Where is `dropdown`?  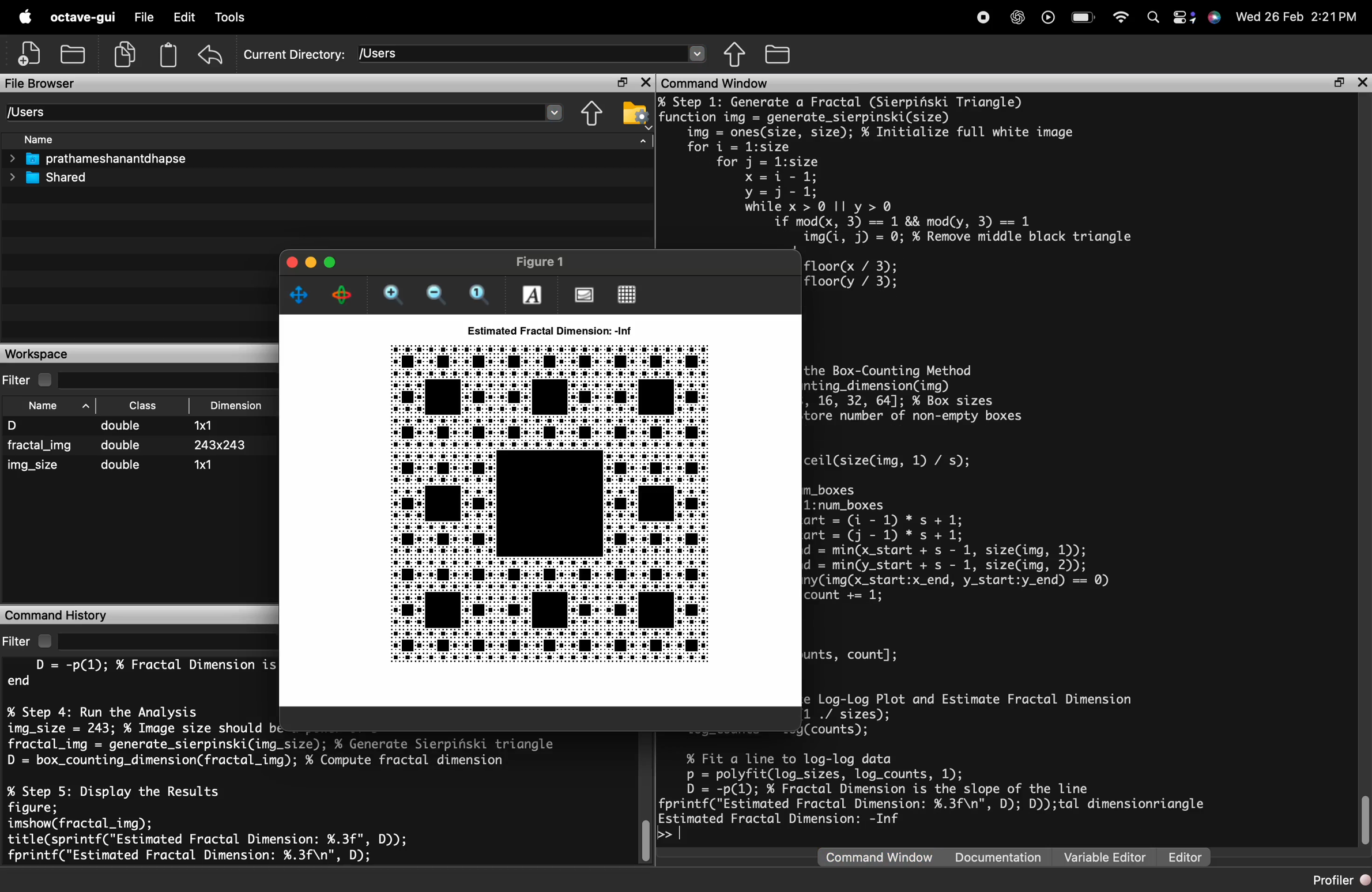 dropdown is located at coordinates (555, 112).